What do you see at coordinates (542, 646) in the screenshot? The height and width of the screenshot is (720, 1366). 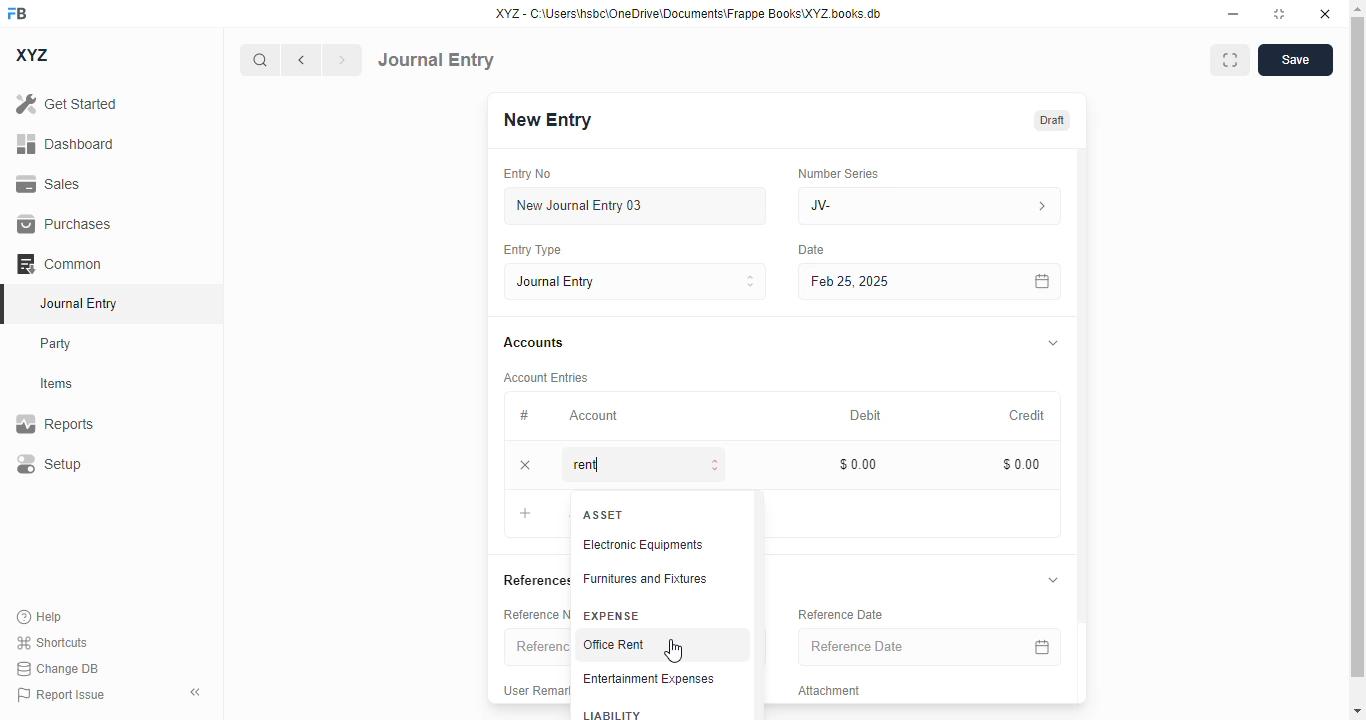 I see `reference number` at bounding box center [542, 646].